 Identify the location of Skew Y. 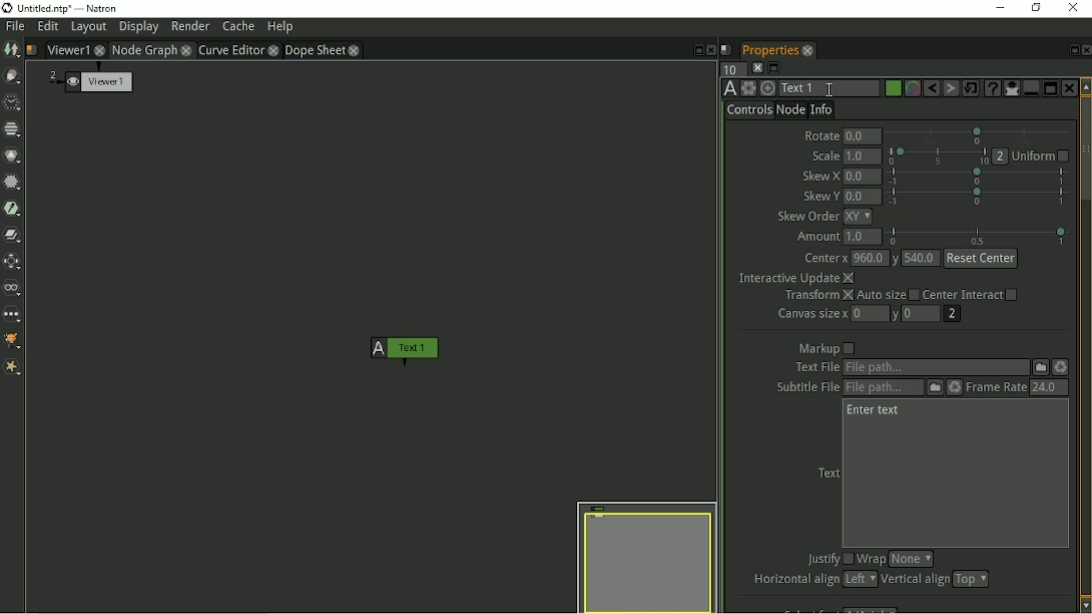
(821, 195).